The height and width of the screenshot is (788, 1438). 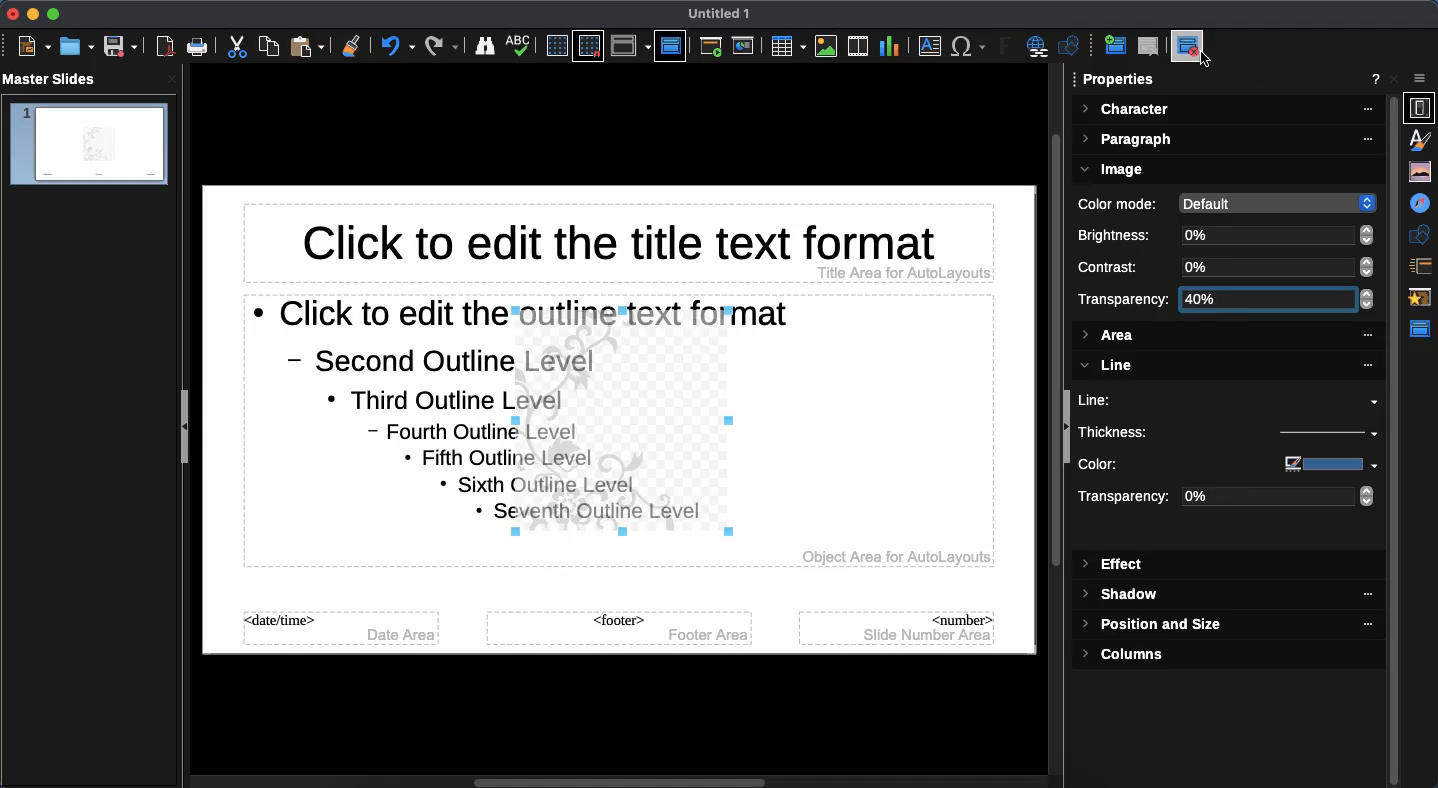 What do you see at coordinates (198, 47) in the screenshot?
I see `Print` at bounding box center [198, 47].